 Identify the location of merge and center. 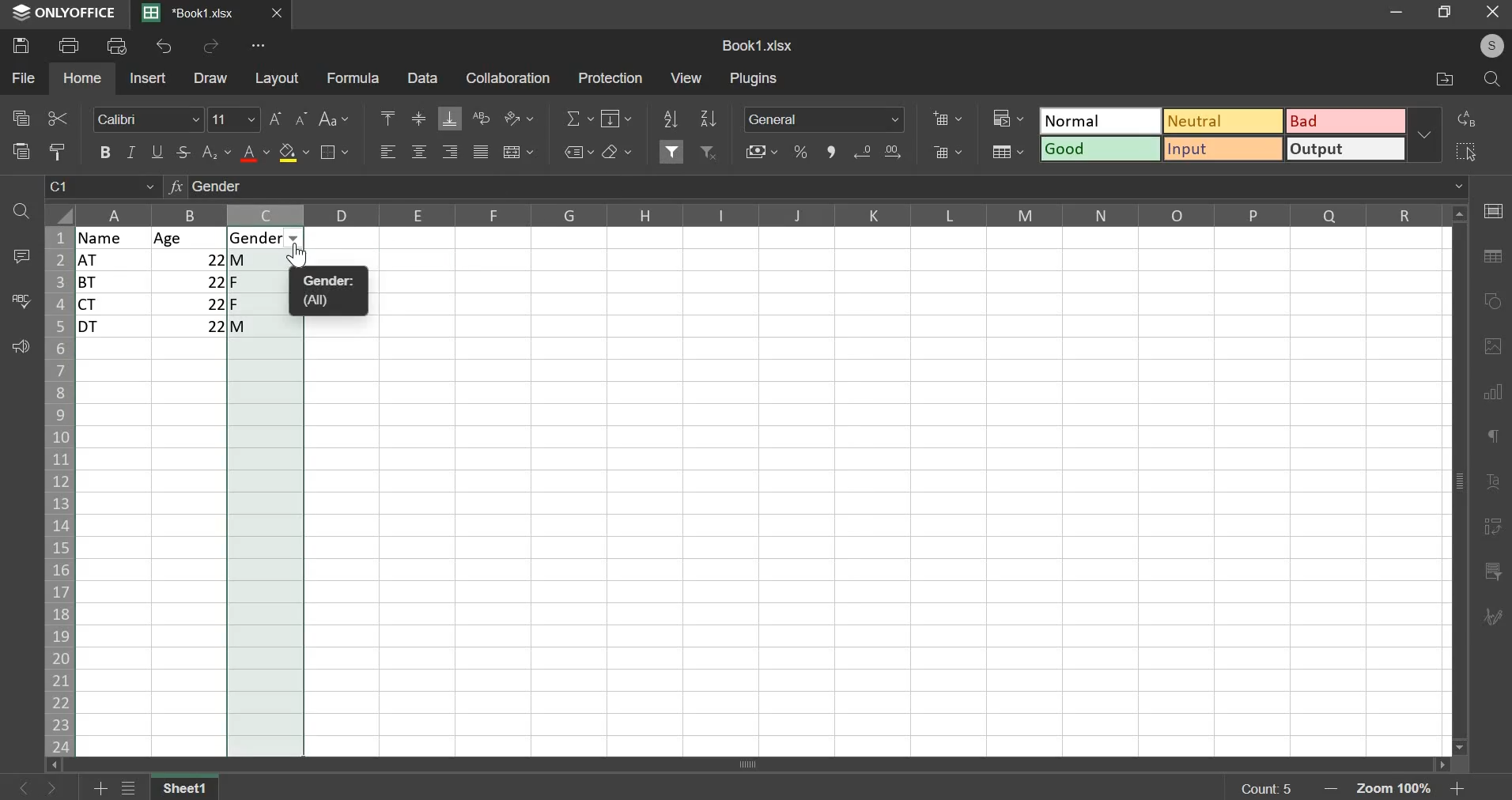
(519, 153).